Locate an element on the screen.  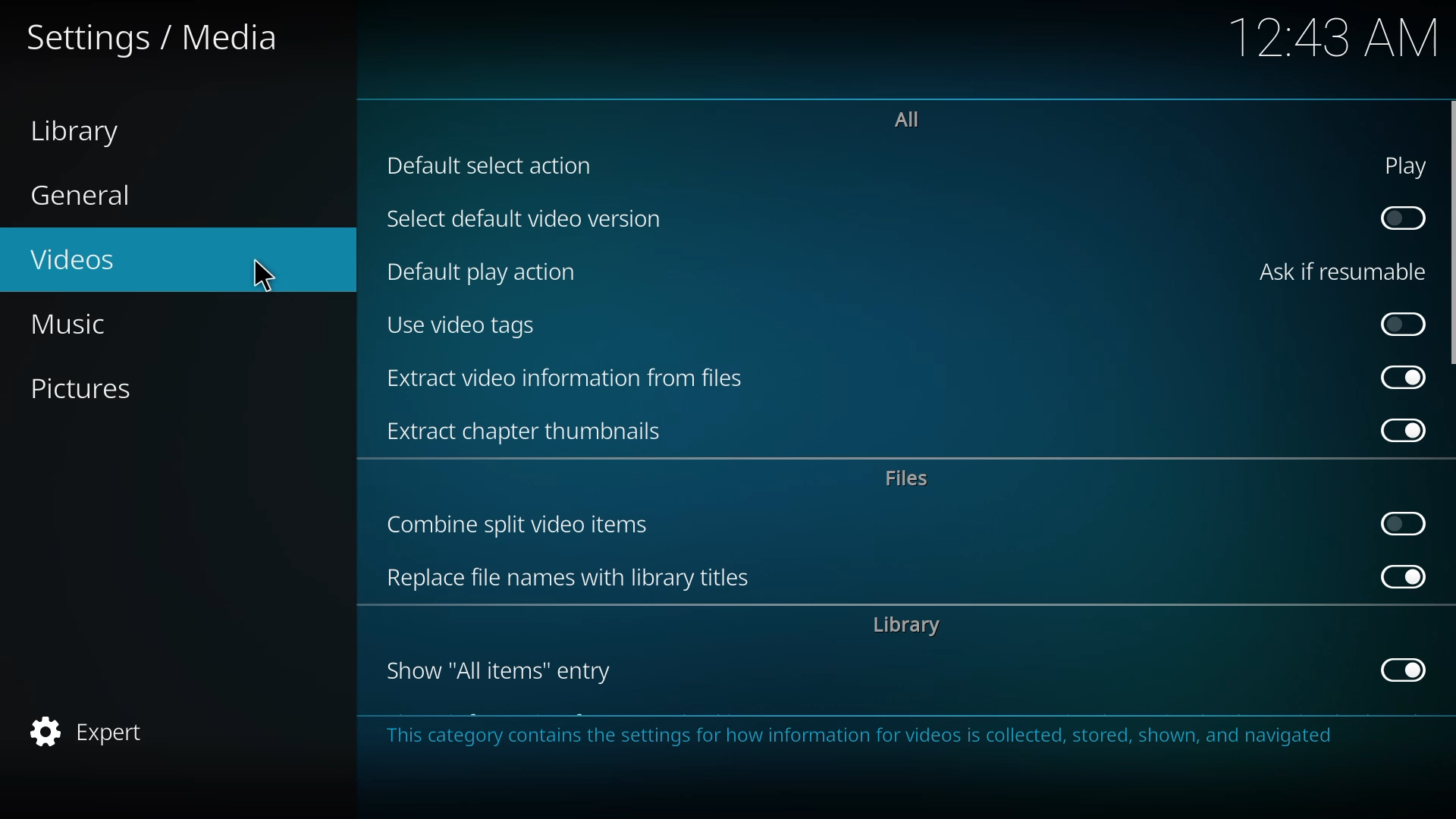
click to enable is located at coordinates (1402, 522).